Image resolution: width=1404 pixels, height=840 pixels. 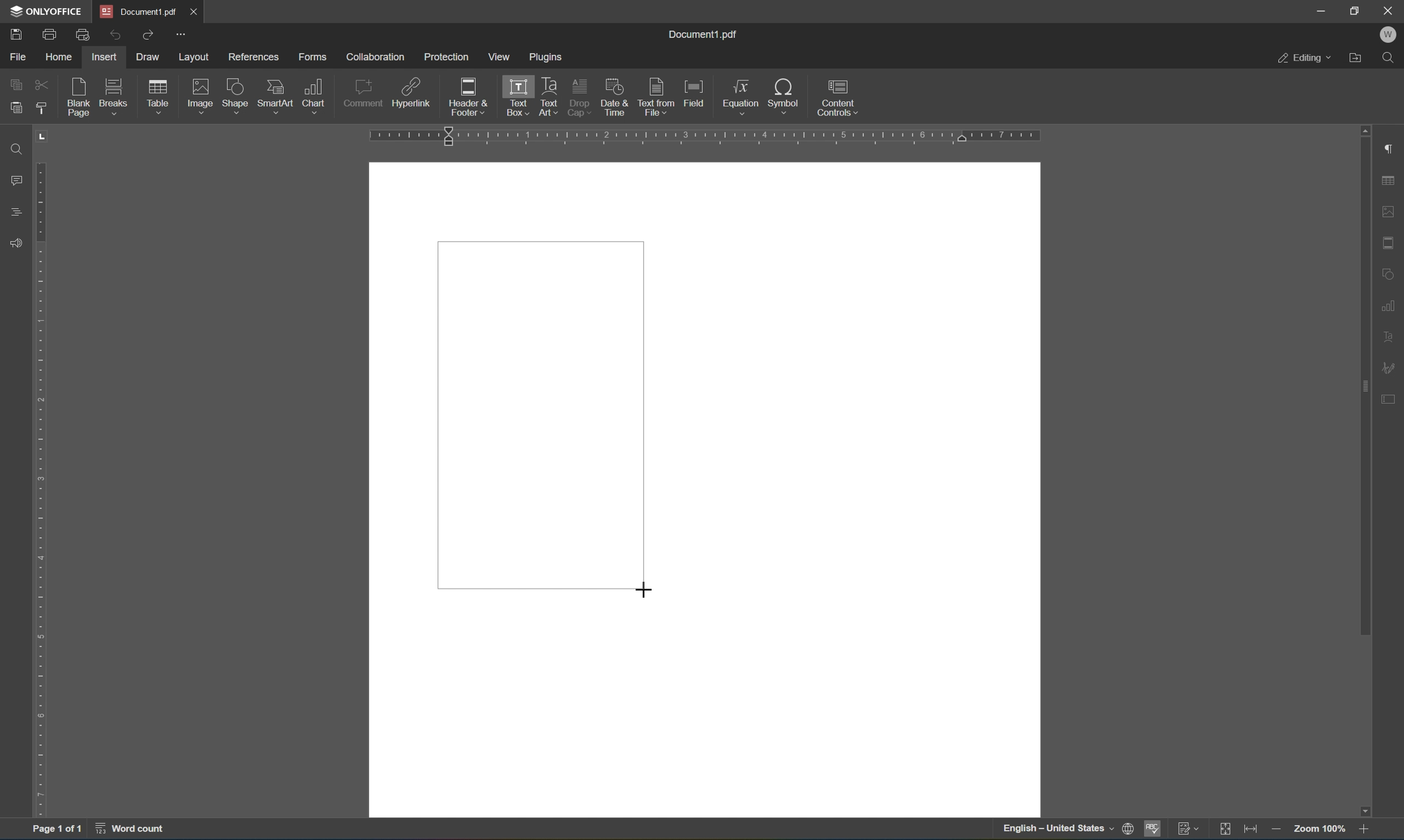 I want to click on Redo, so click(x=145, y=34).